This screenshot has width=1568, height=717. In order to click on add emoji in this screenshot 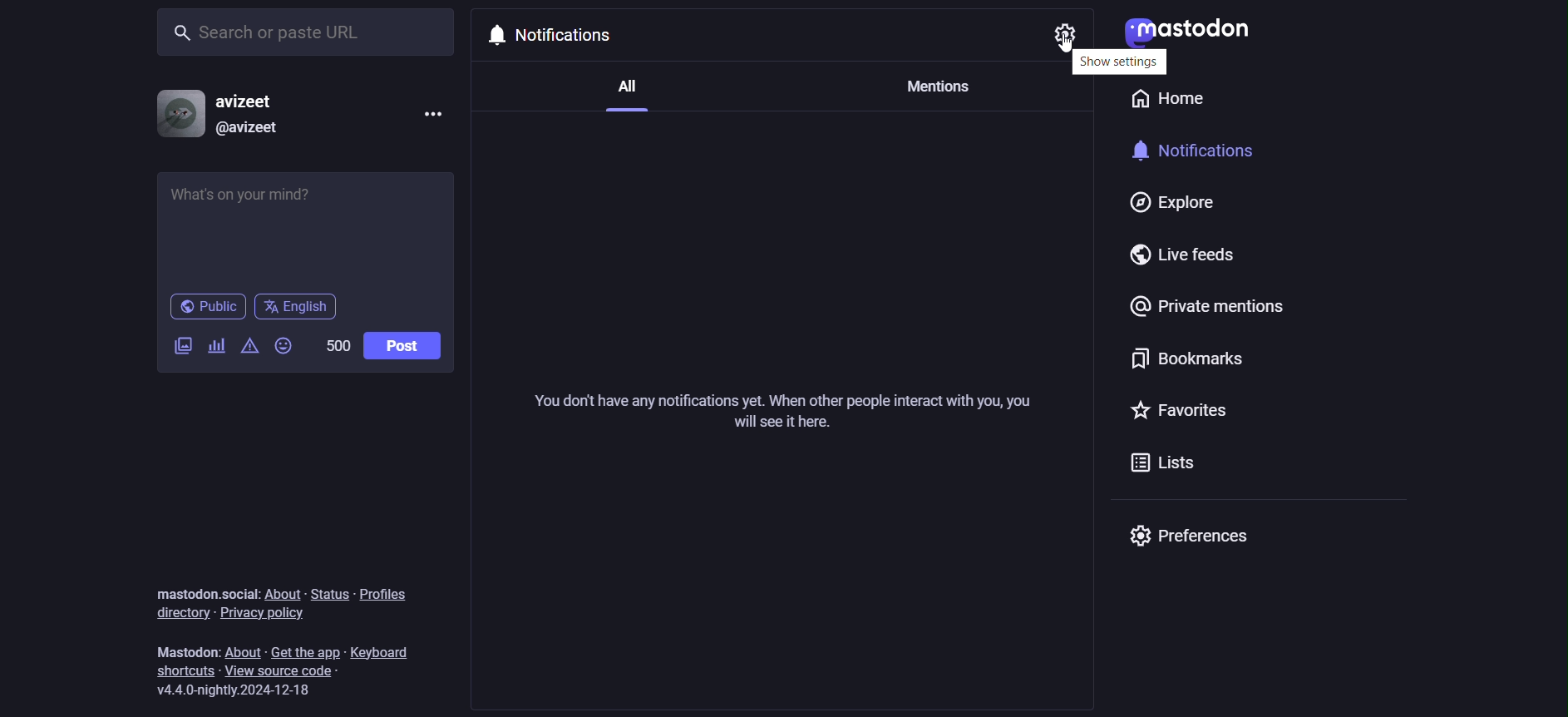, I will do `click(285, 344)`.